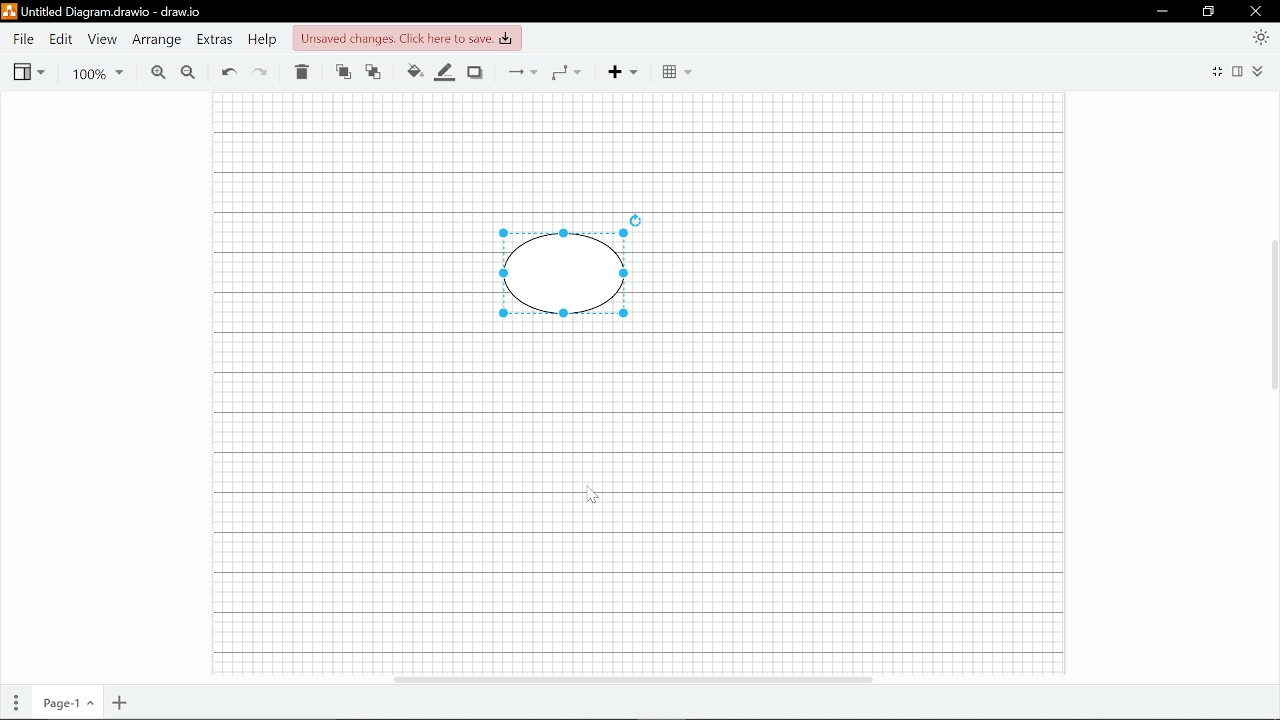 Image resolution: width=1280 pixels, height=720 pixels. What do you see at coordinates (523, 72) in the screenshot?
I see `Connector` at bounding box center [523, 72].